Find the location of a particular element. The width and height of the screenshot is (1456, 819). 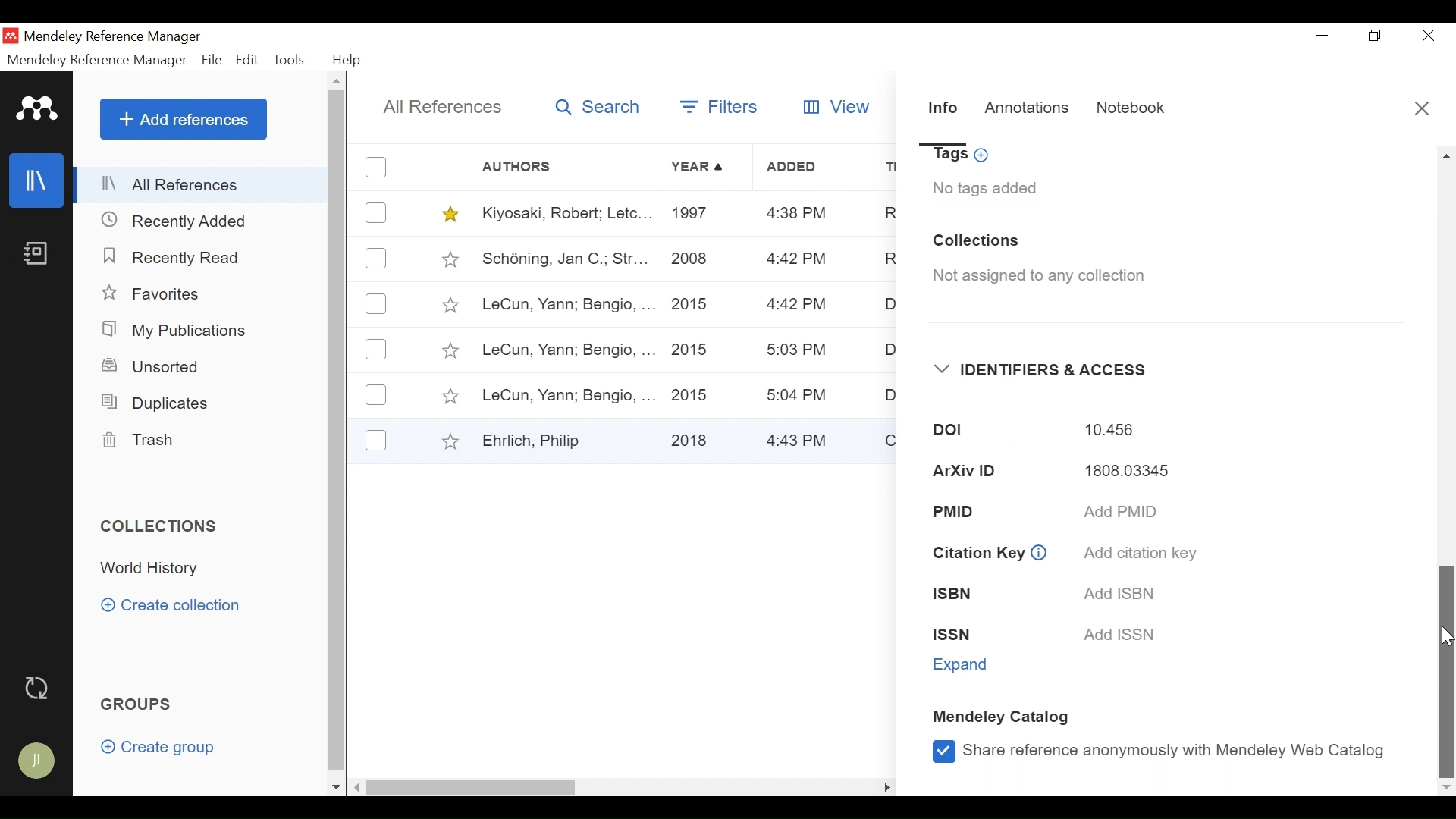

Identifiers & Access is located at coordinates (1041, 370).